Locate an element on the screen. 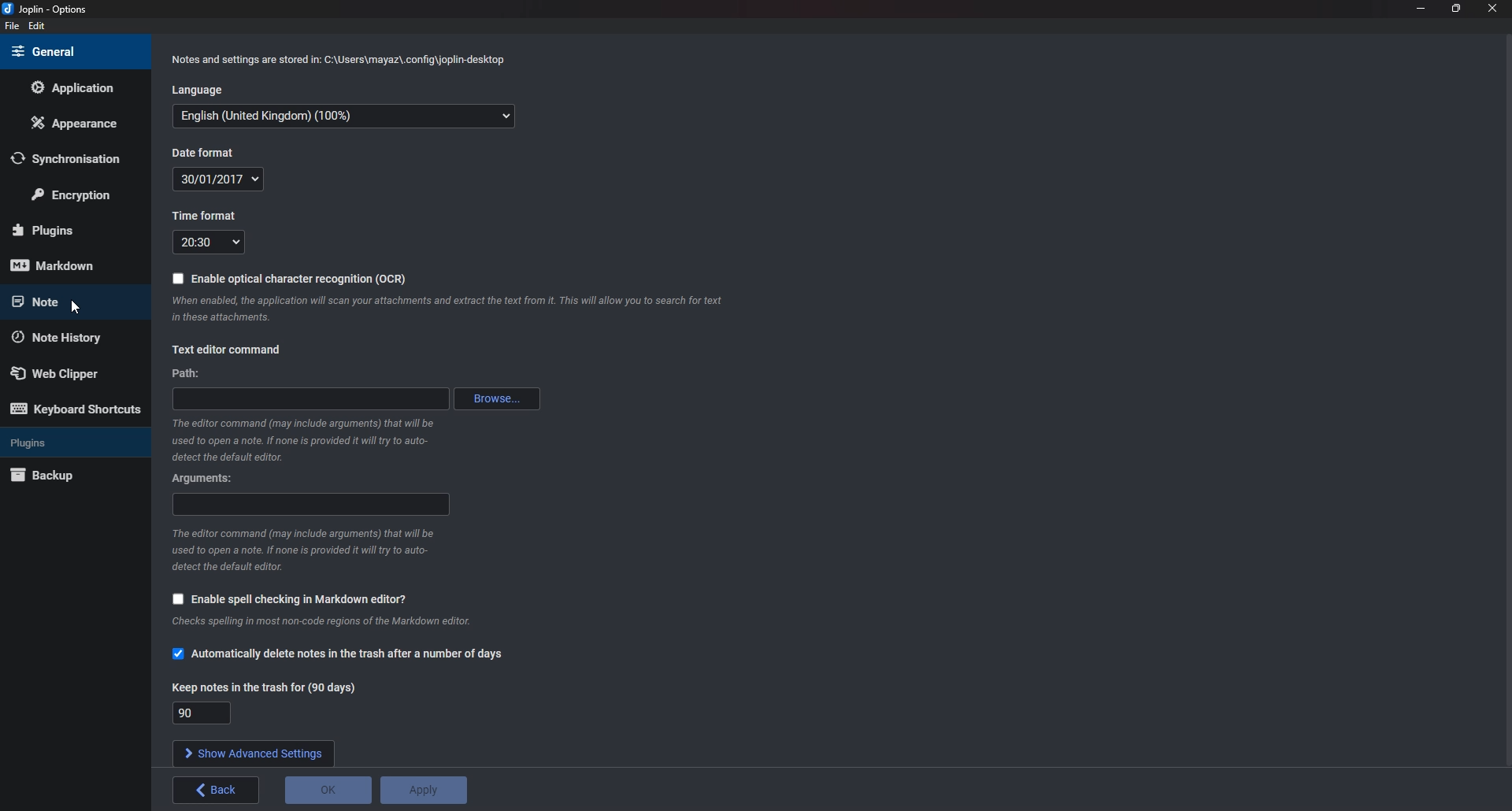 The width and height of the screenshot is (1512, 811). Encryption is located at coordinates (76, 193).